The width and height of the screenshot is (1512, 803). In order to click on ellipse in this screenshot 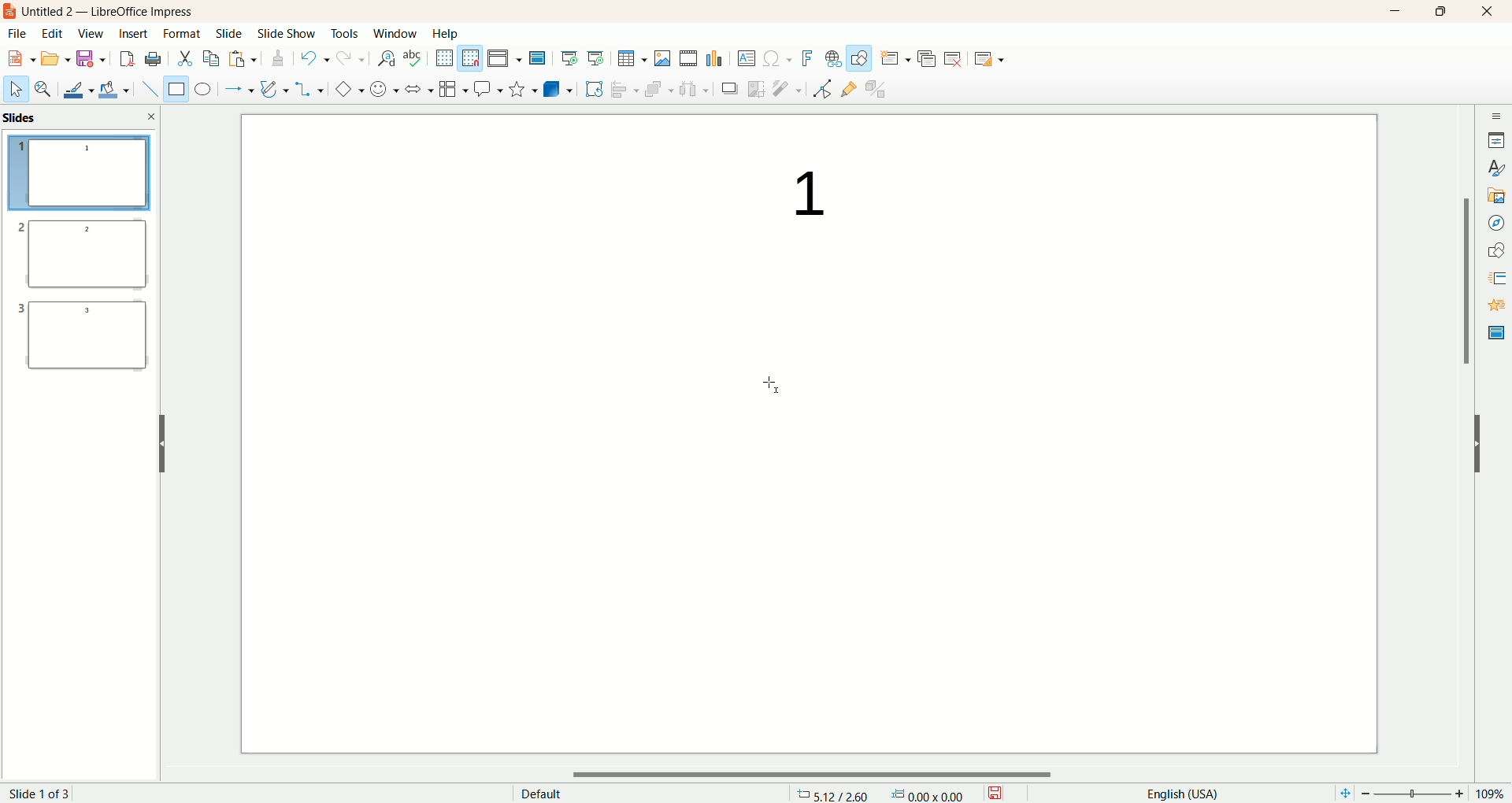, I will do `click(202, 91)`.